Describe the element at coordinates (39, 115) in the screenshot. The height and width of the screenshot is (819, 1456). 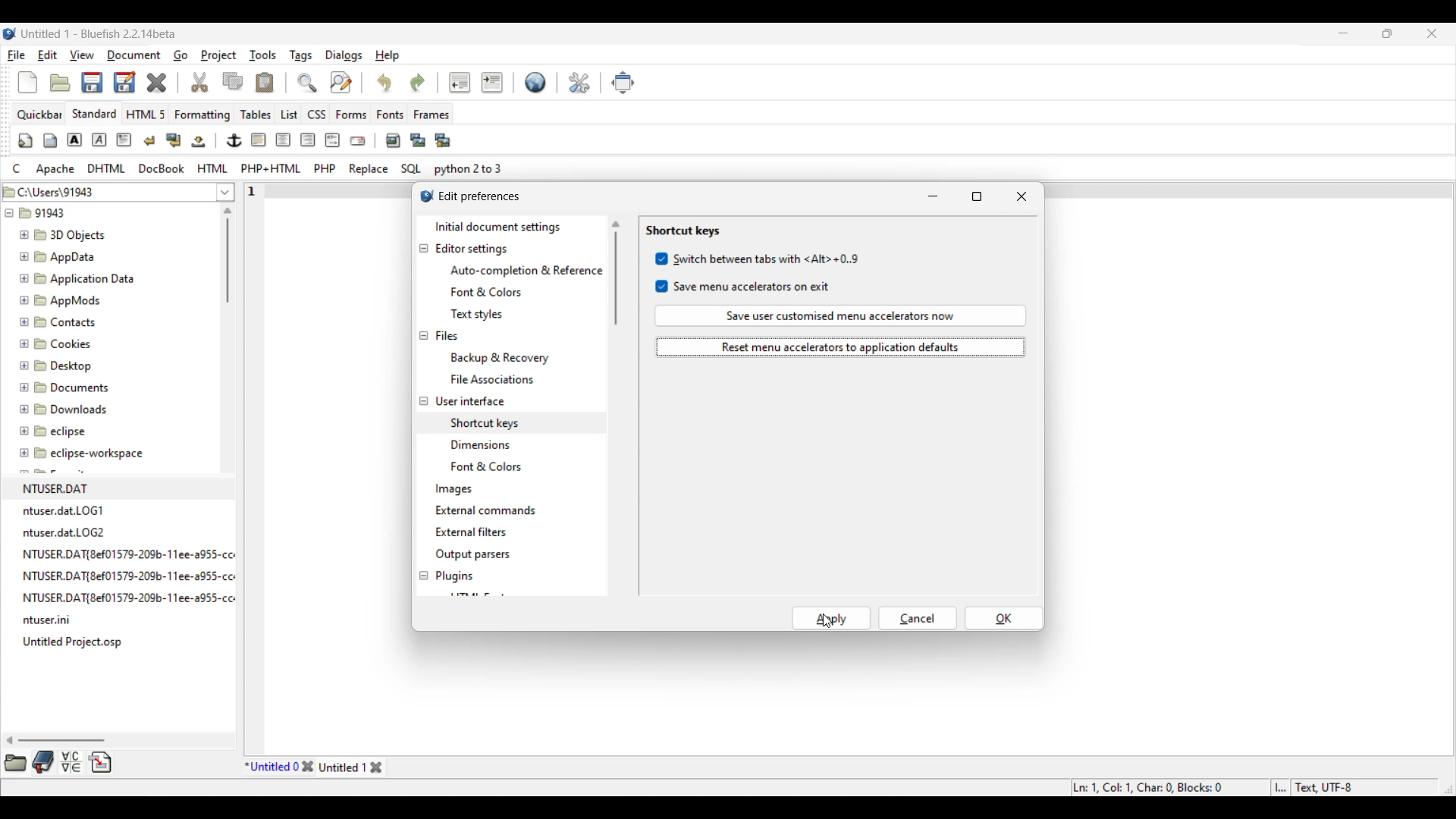
I see `Quickbar` at that location.